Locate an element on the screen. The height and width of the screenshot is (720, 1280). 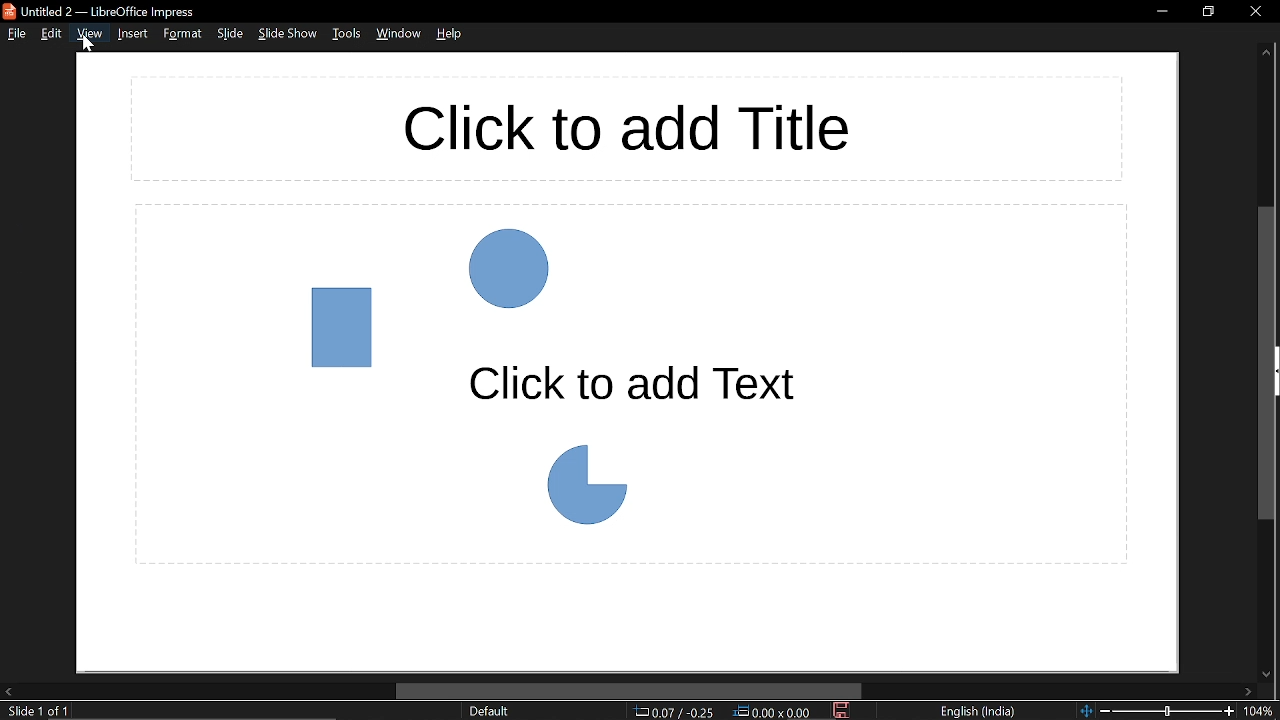
MOve down is located at coordinates (1267, 674).